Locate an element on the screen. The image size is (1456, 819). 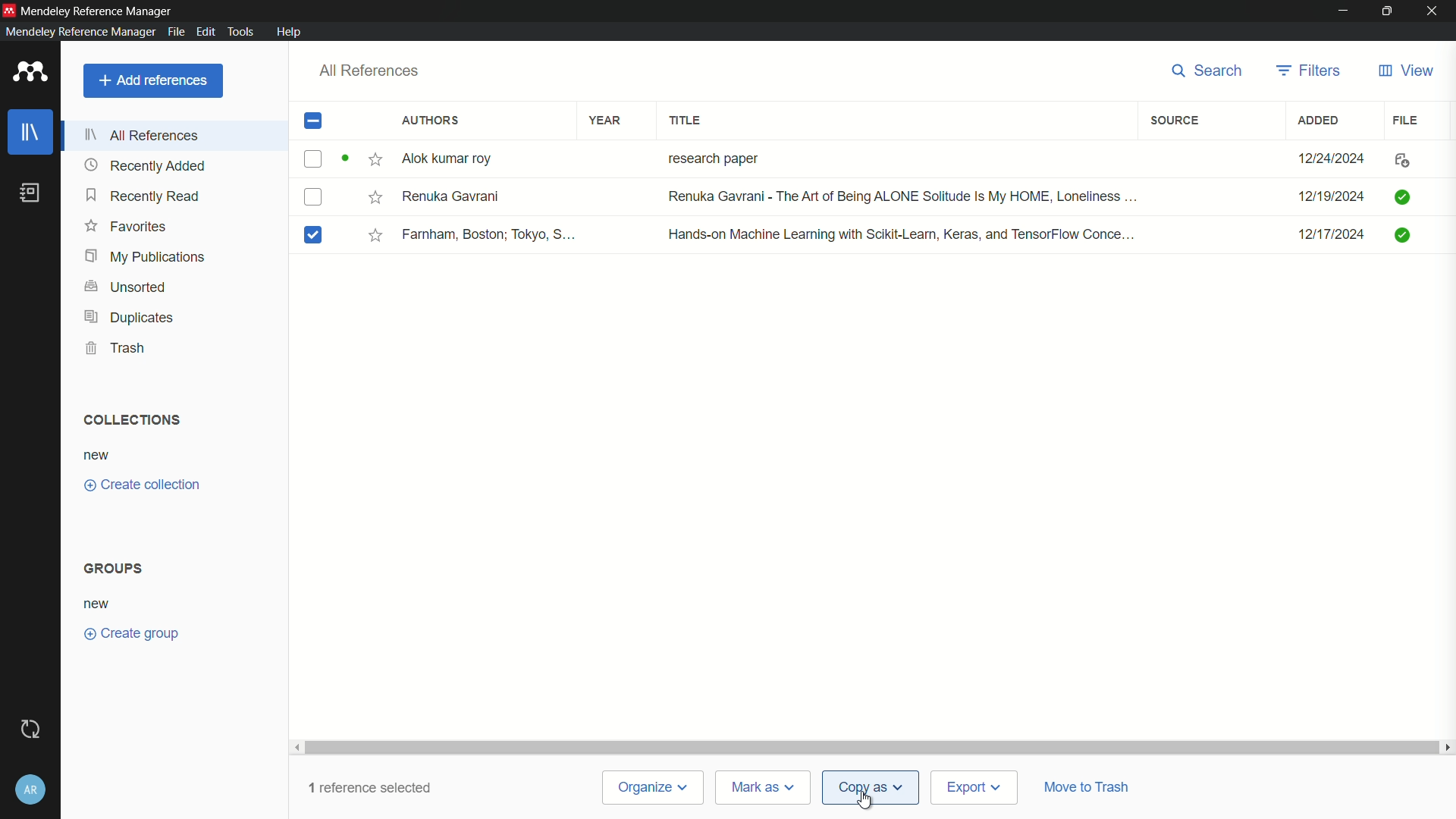
recently read is located at coordinates (143, 196).